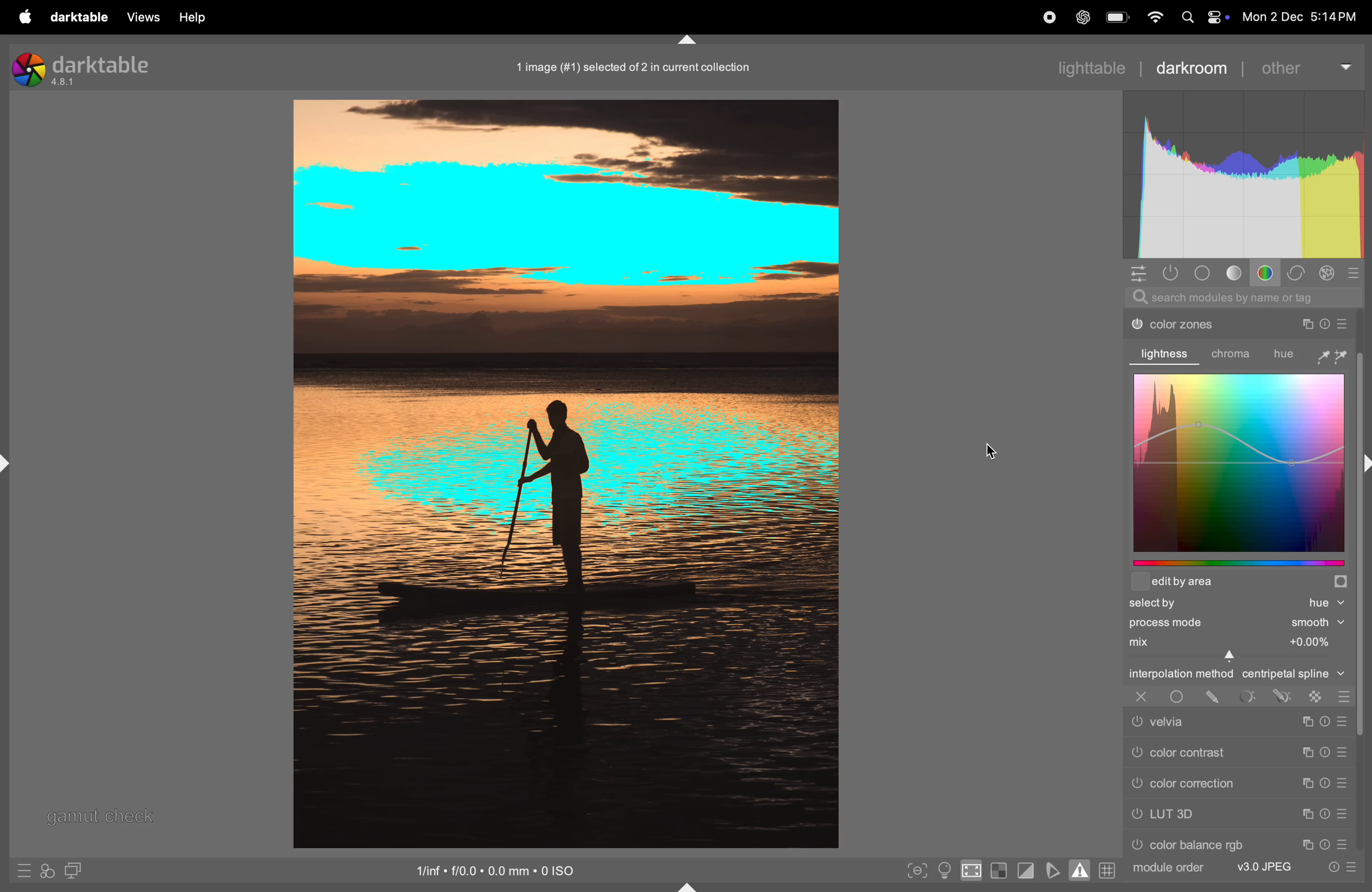 The image size is (1372, 892). Describe the element at coordinates (999, 870) in the screenshot. I see `toggle indication of raw exposure` at that location.